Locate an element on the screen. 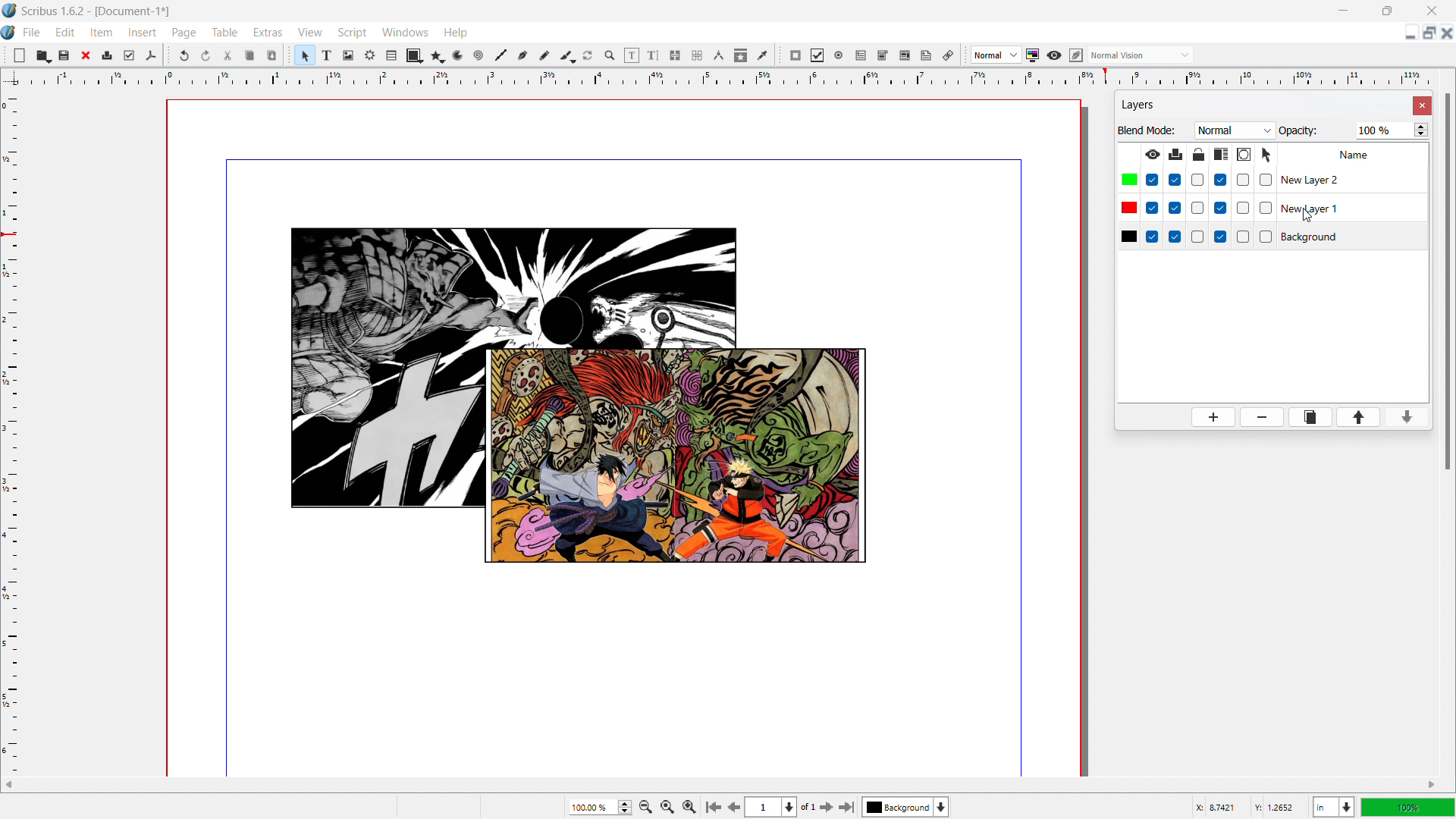  move toolbox is located at coordinates (964, 55).